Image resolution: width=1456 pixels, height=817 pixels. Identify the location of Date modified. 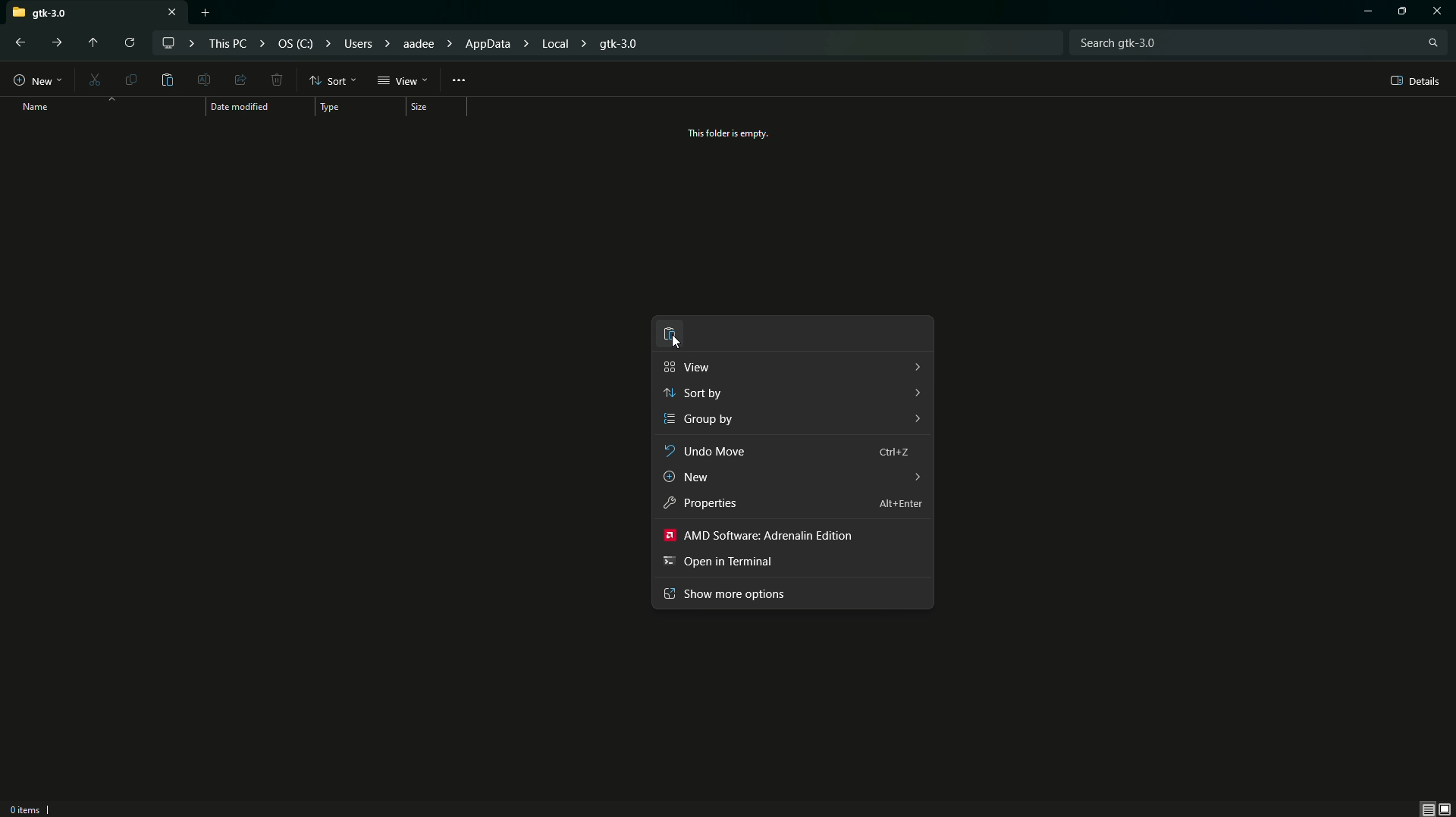
(243, 107).